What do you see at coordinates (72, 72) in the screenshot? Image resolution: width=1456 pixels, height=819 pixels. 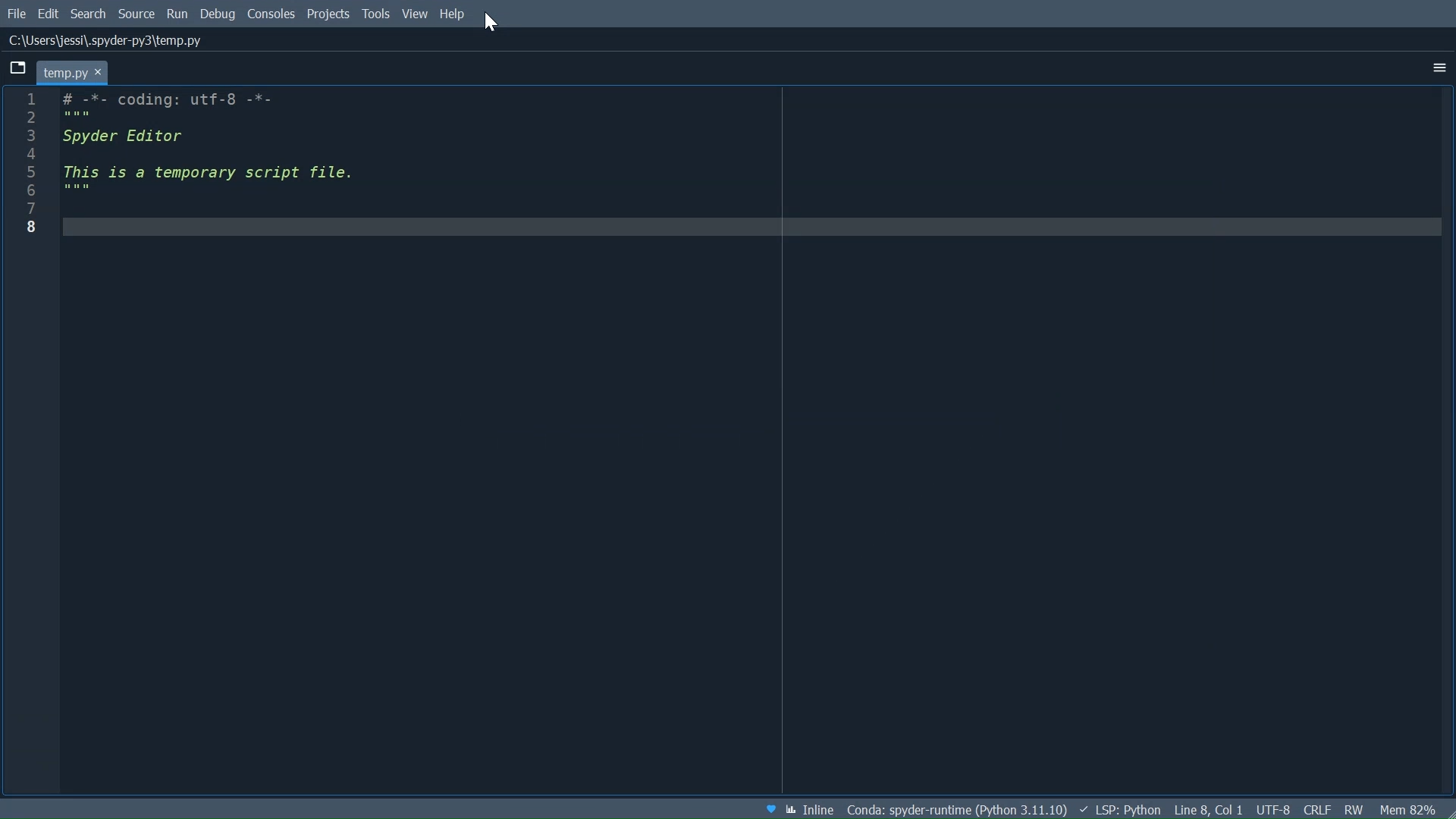 I see `Current tab` at bounding box center [72, 72].